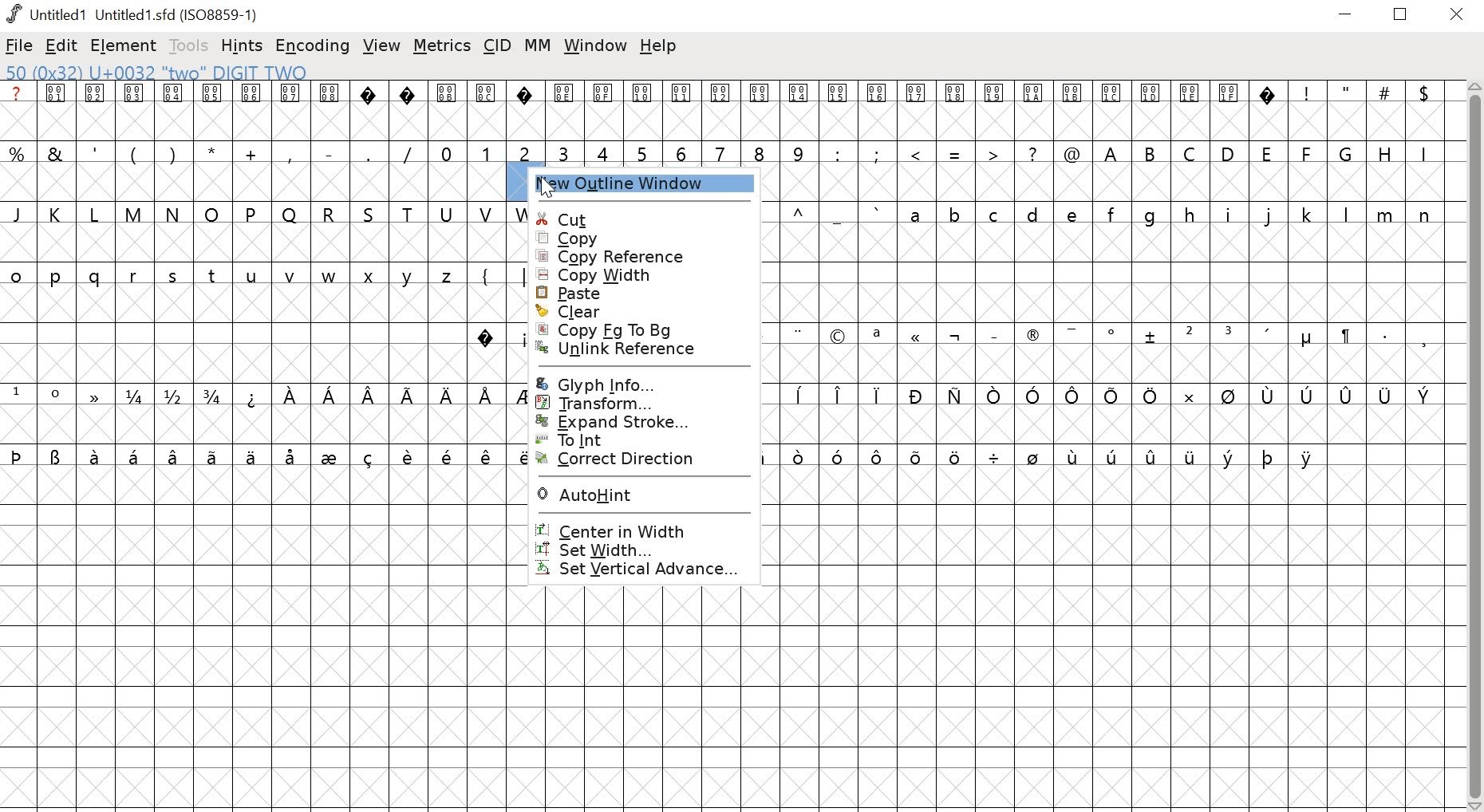 Image resolution: width=1484 pixels, height=812 pixels. Describe the element at coordinates (496, 45) in the screenshot. I see `cid` at that location.